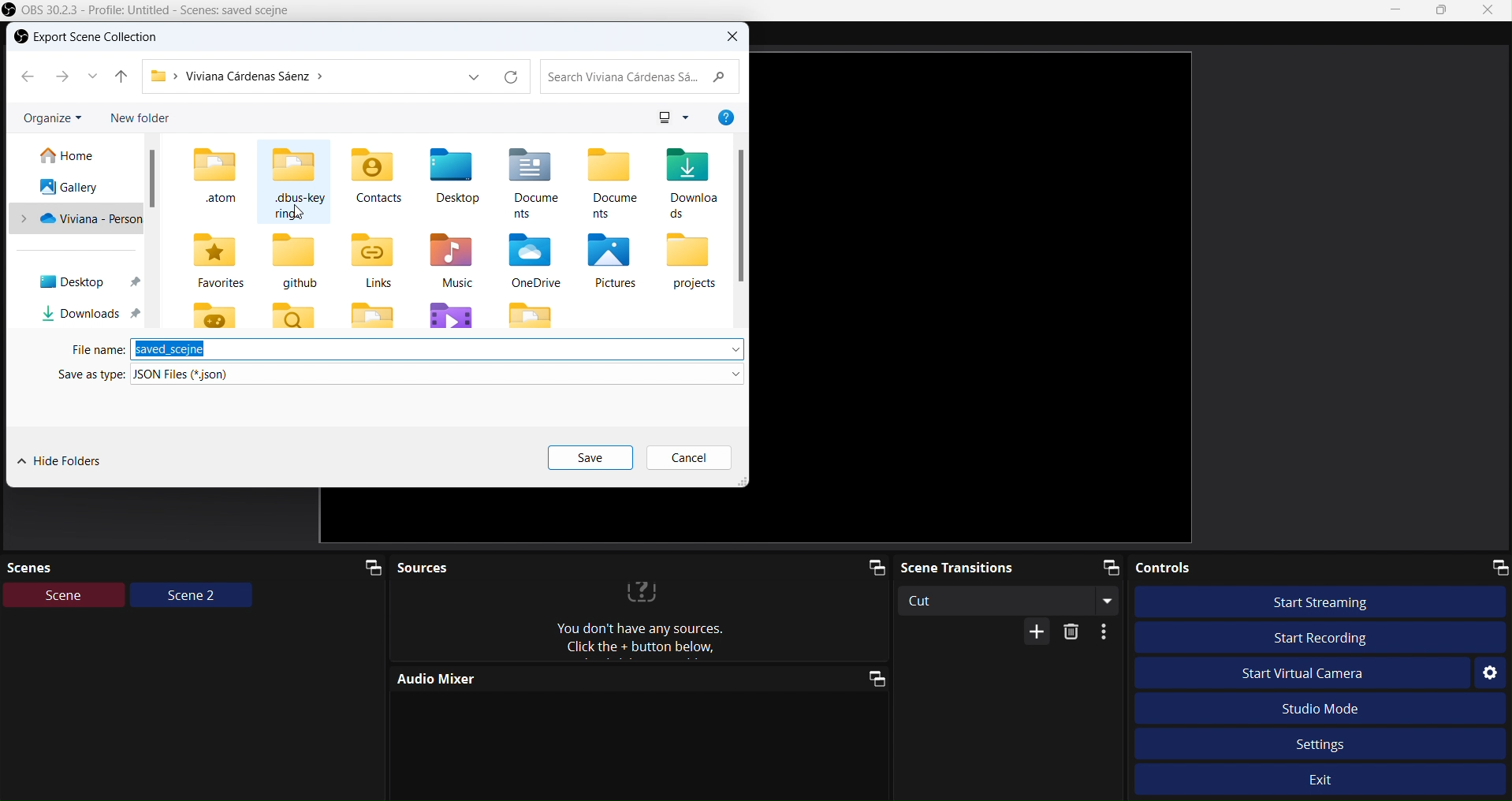 Image resolution: width=1512 pixels, height=801 pixels. I want to click on Settings, so click(1490, 674).